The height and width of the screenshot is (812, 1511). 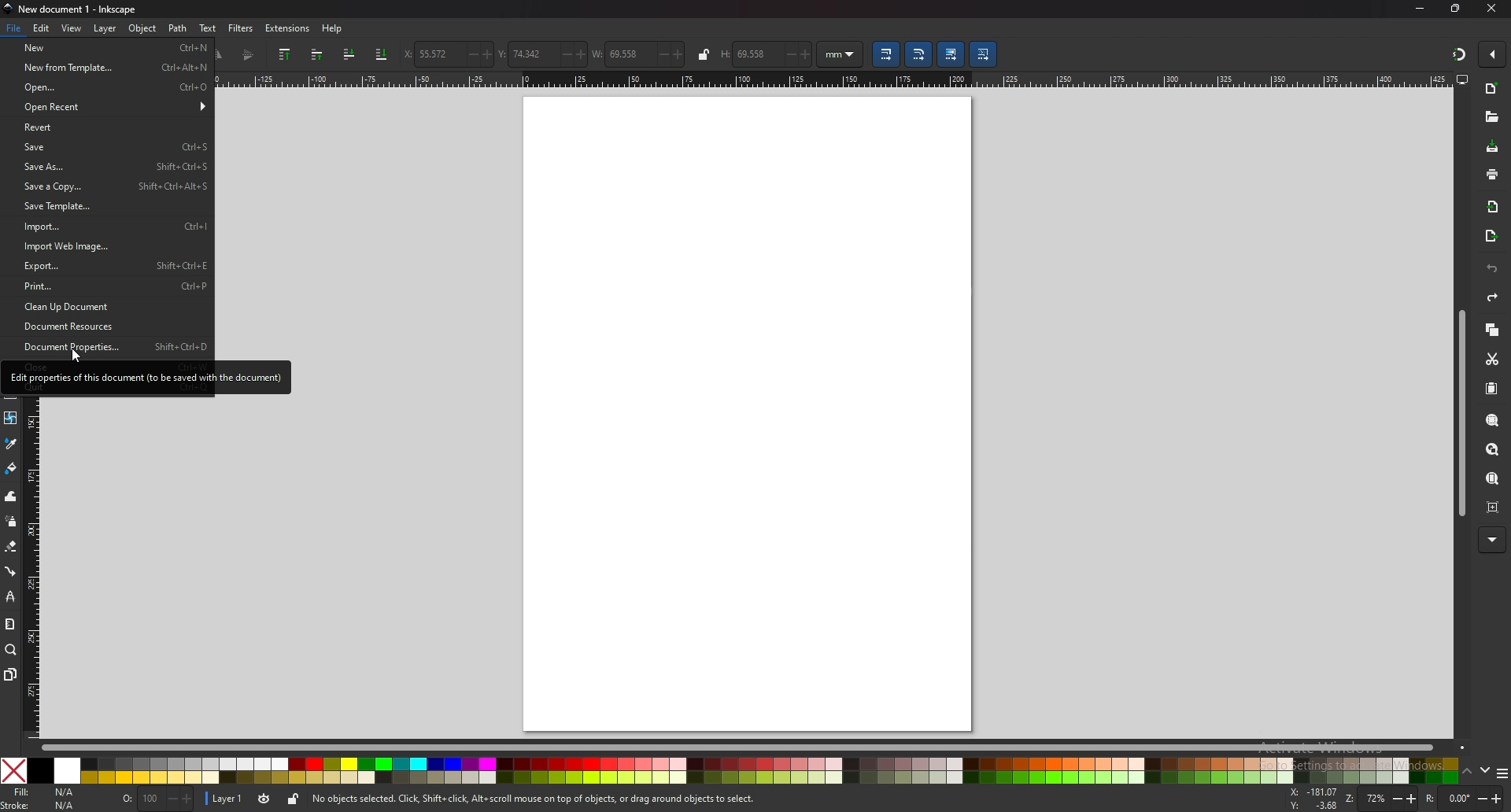 I want to click on vertical coordinate, so click(x=519, y=54).